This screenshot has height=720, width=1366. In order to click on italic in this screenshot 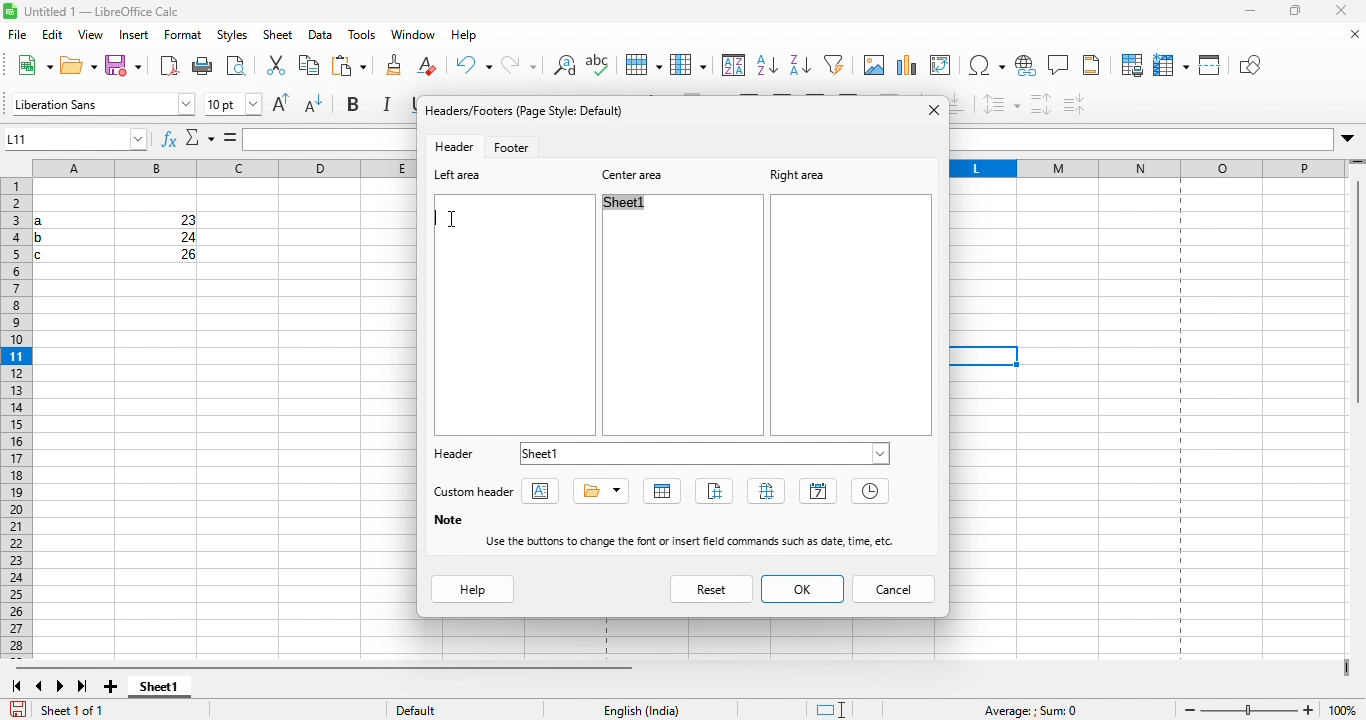, I will do `click(391, 106)`.